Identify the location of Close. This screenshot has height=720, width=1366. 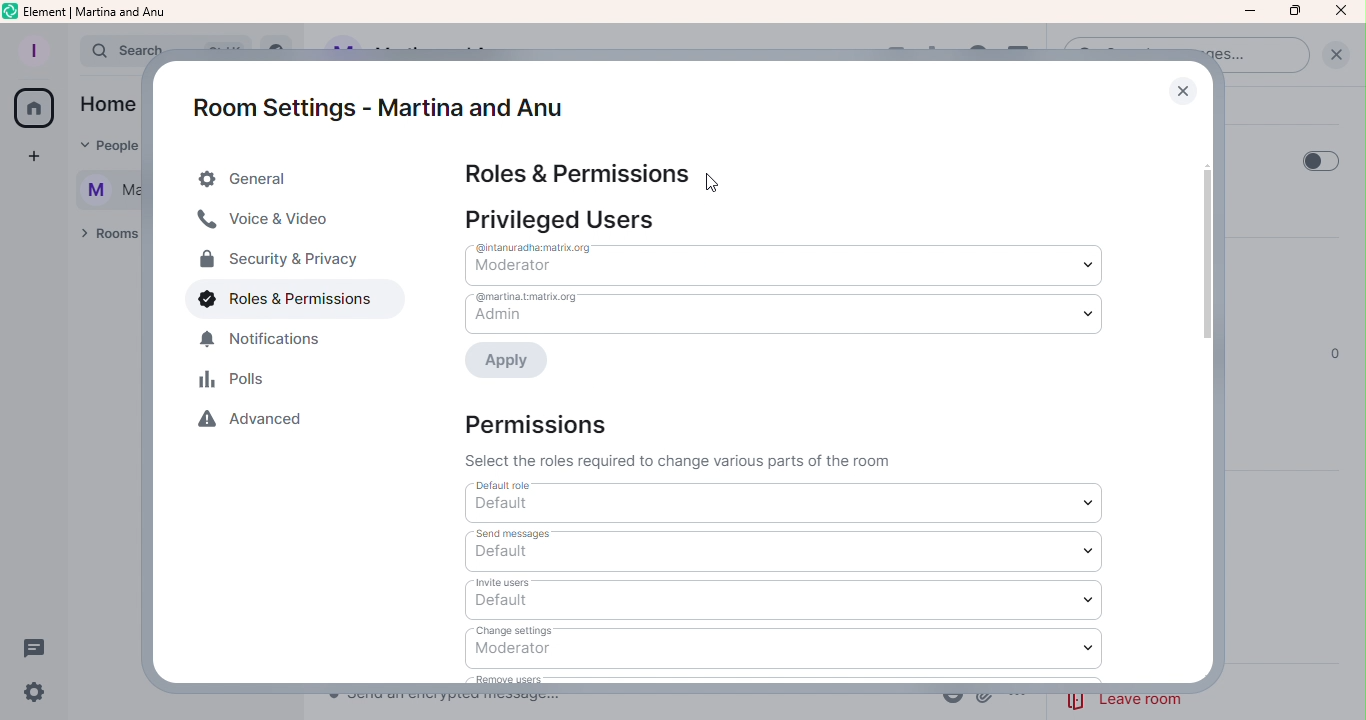
(1182, 90).